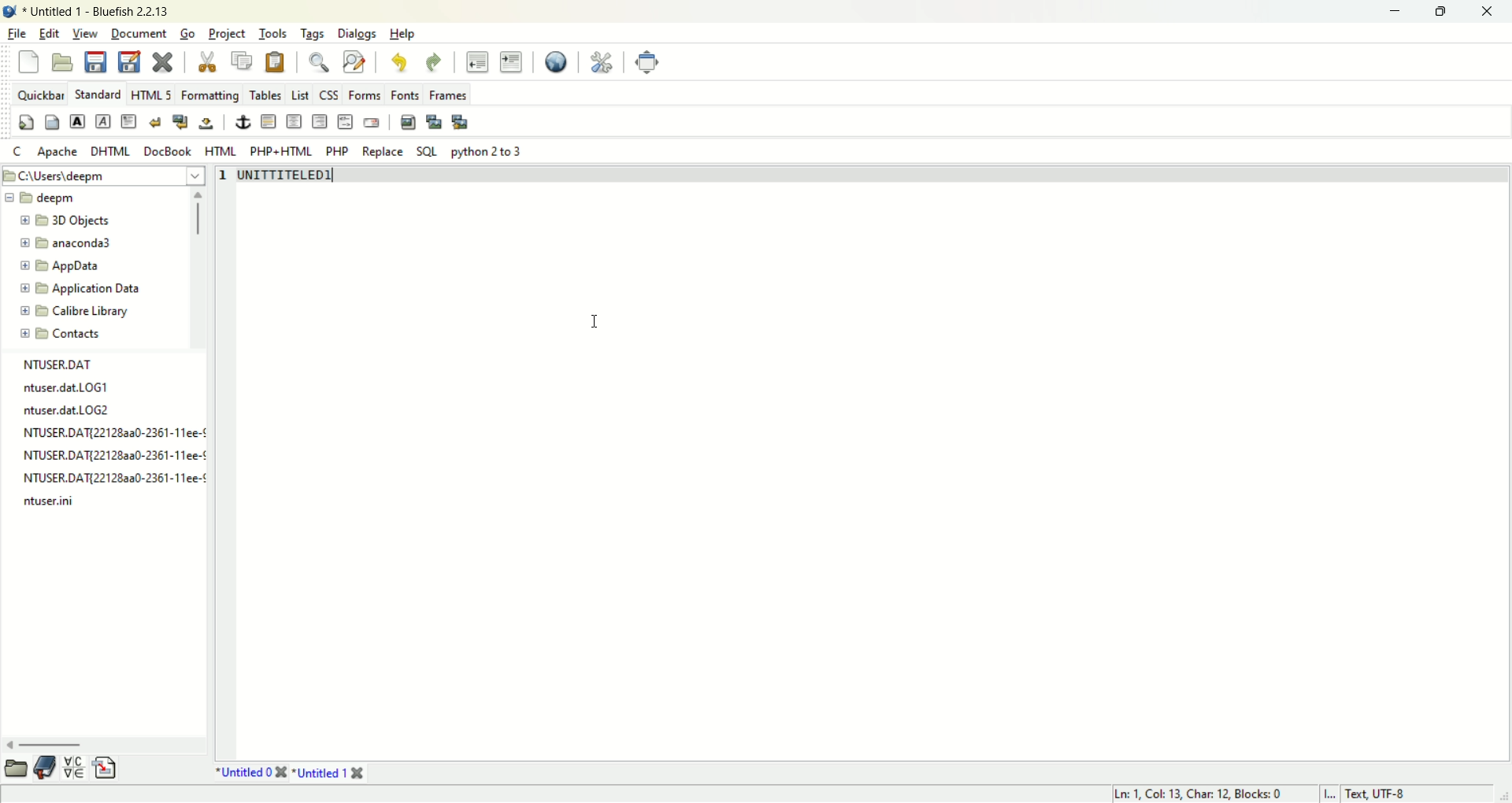 This screenshot has width=1512, height=803. Describe the element at coordinates (103, 743) in the screenshot. I see `horizontal scroll bar` at that location.